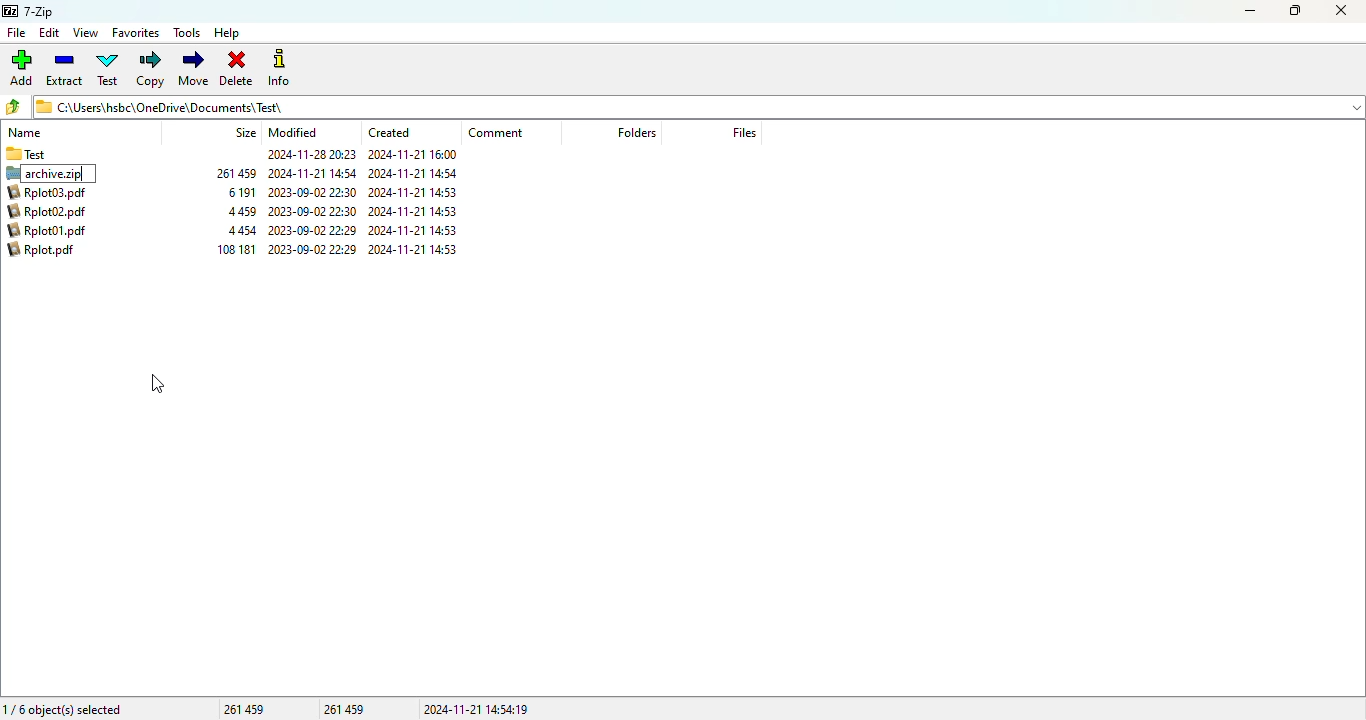 Image resolution: width=1366 pixels, height=720 pixels. What do you see at coordinates (187, 33) in the screenshot?
I see `tools` at bounding box center [187, 33].